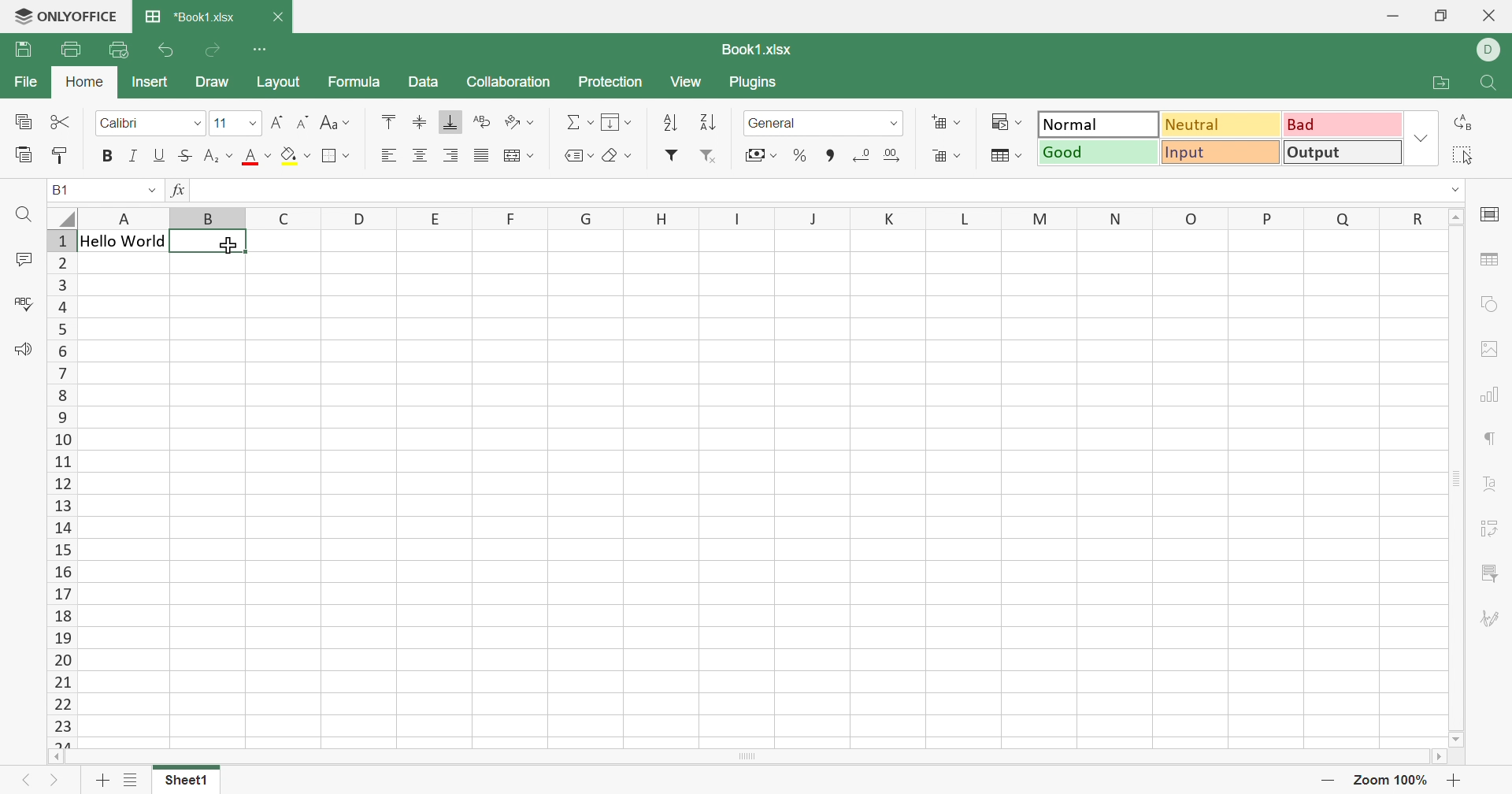  Describe the element at coordinates (671, 153) in the screenshot. I see `Filter` at that location.